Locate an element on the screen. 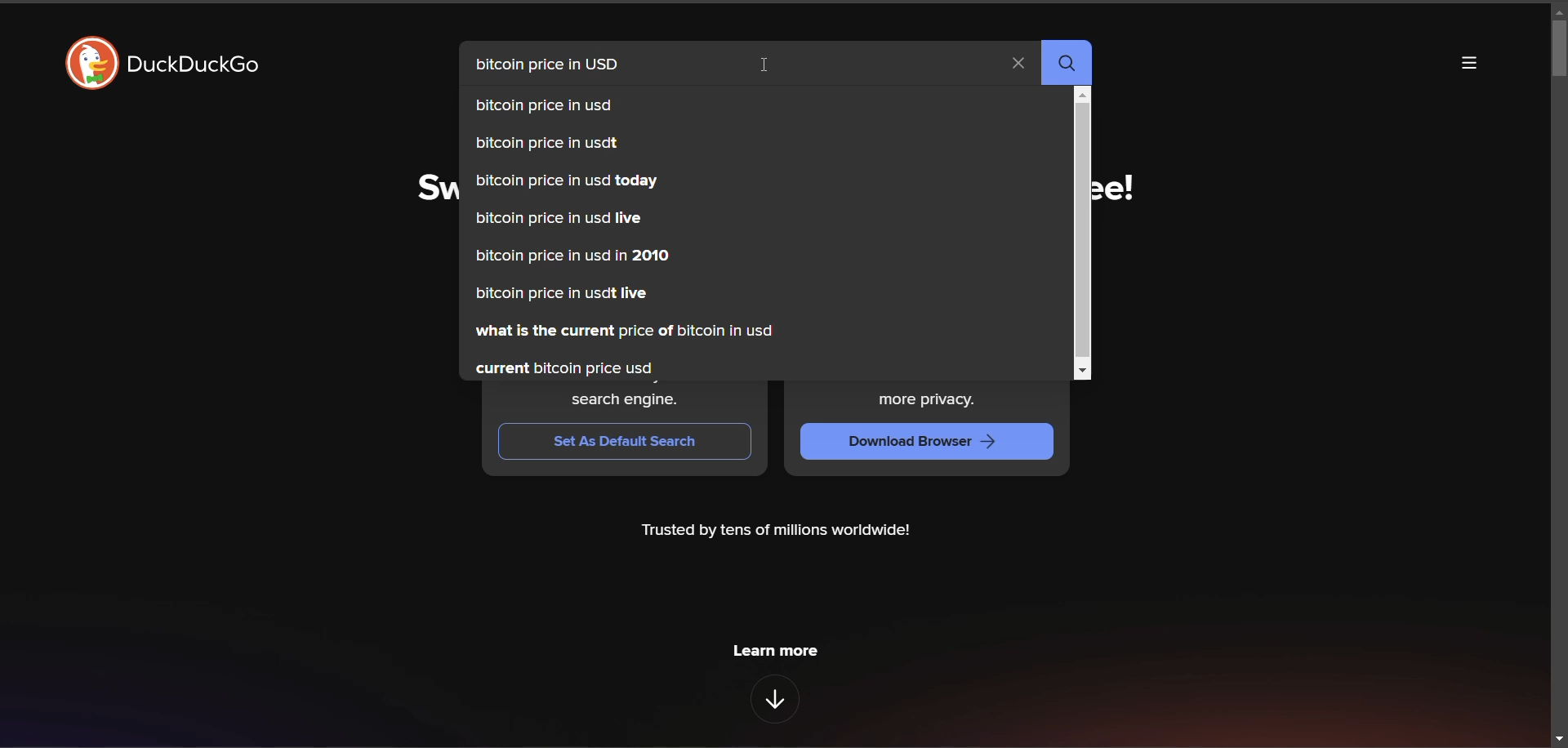  autosuggestions is located at coordinates (759, 238).